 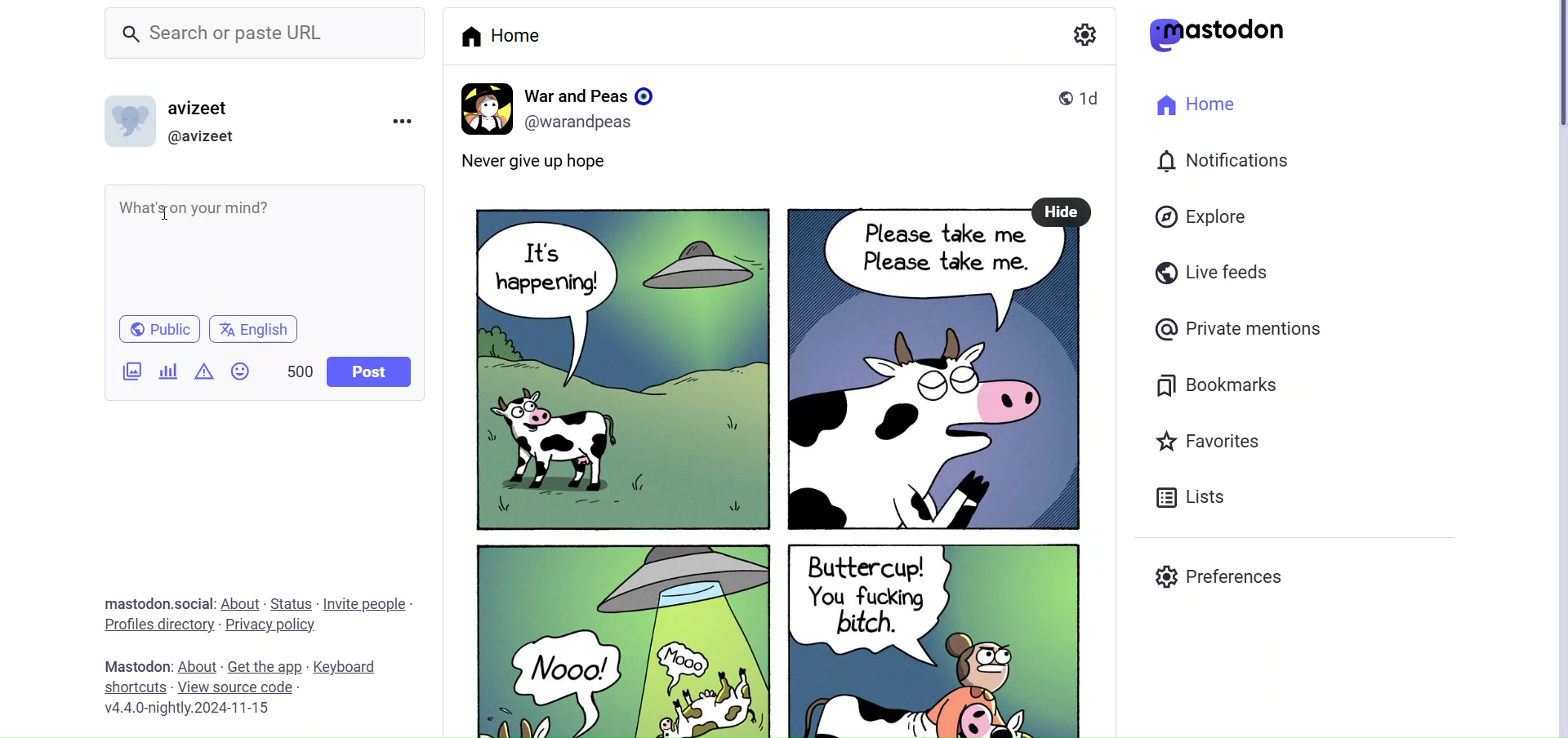 I want to click on Search or paste URL, so click(x=248, y=32).